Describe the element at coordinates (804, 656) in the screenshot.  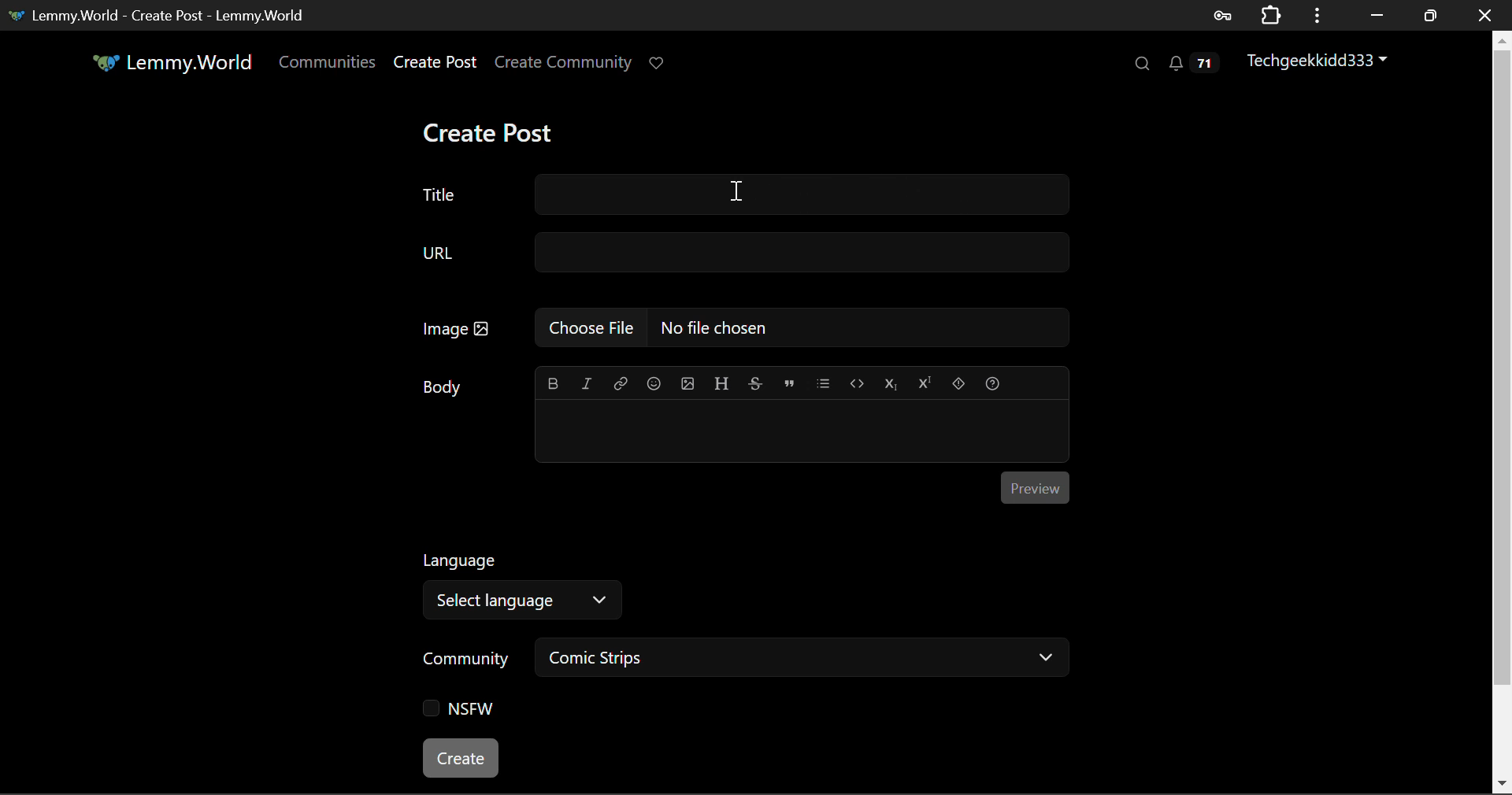
I see `Comic Strips` at that location.